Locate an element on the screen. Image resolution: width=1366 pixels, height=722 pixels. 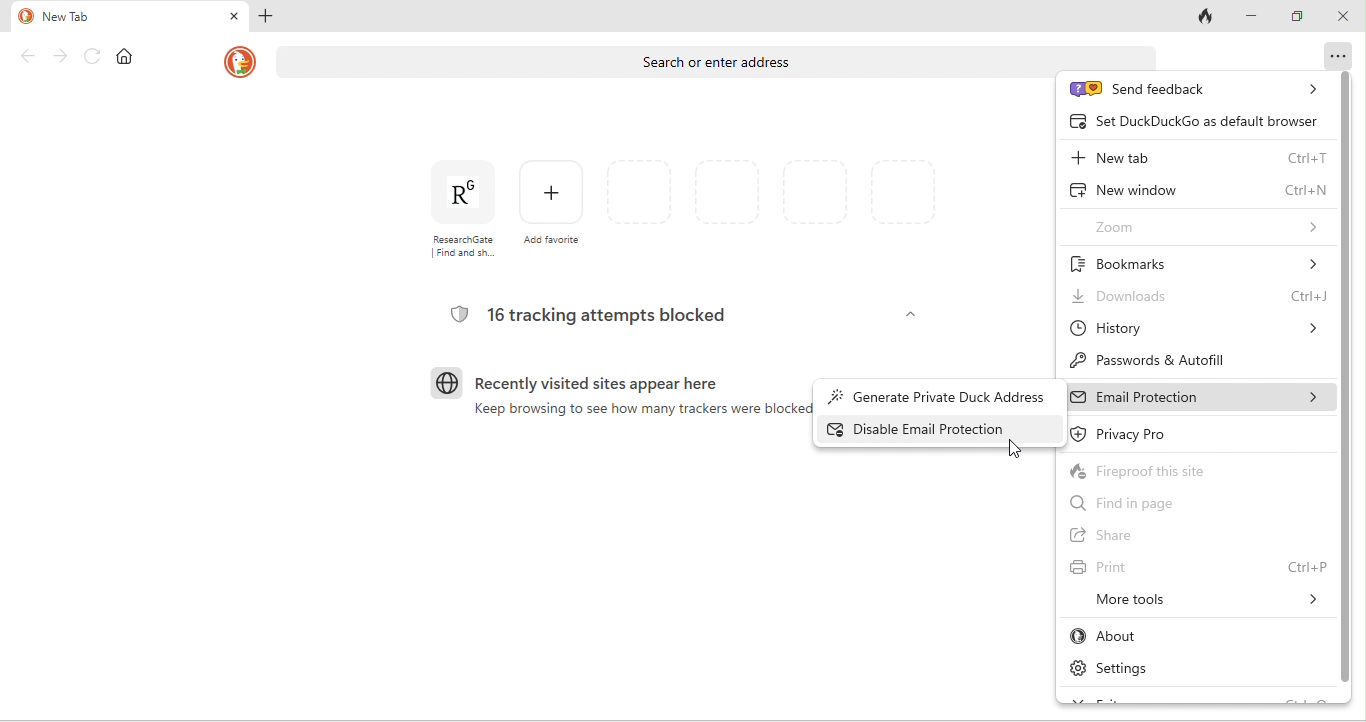
cursor is located at coordinates (1016, 455).